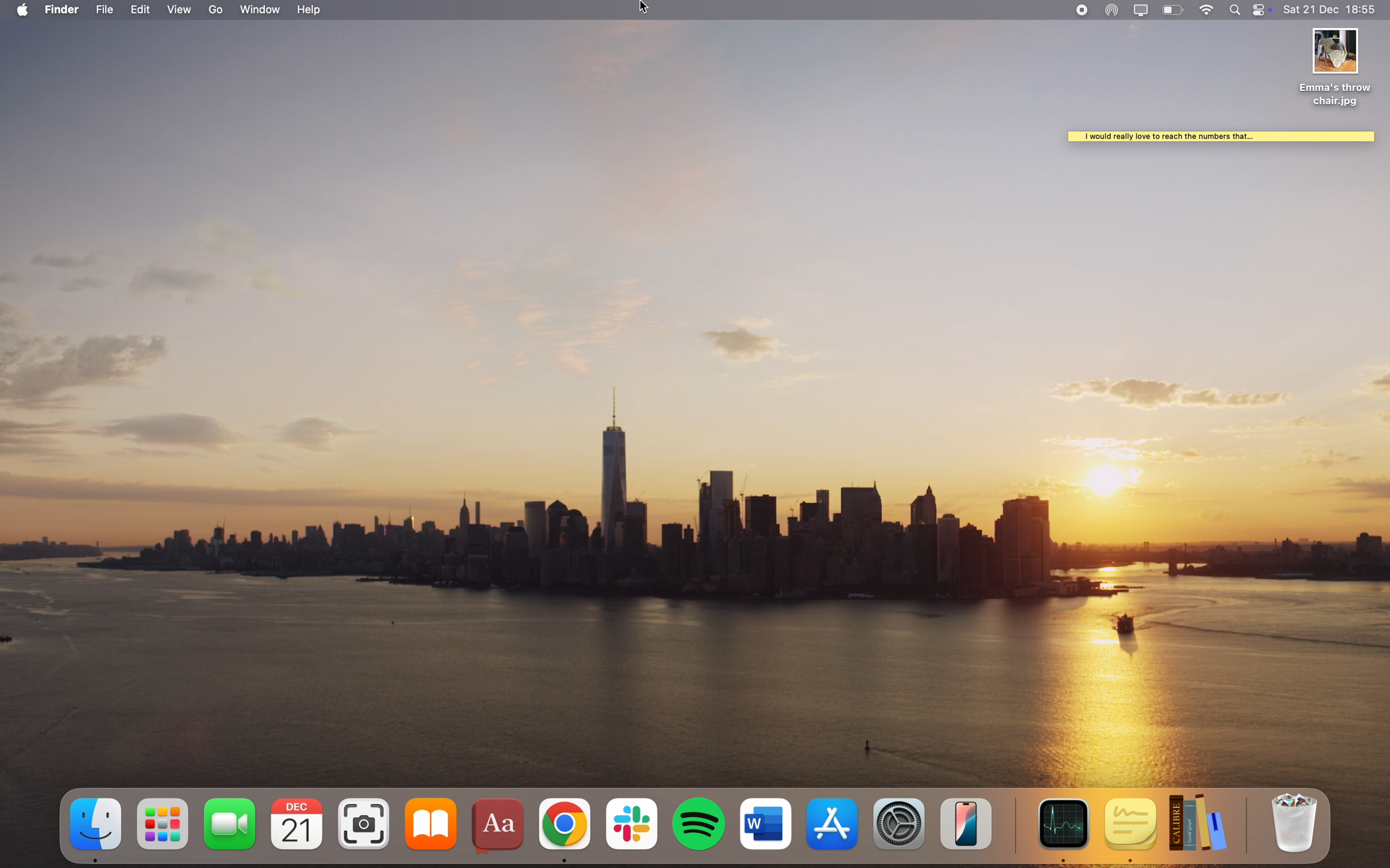  I want to click on go, so click(218, 11).